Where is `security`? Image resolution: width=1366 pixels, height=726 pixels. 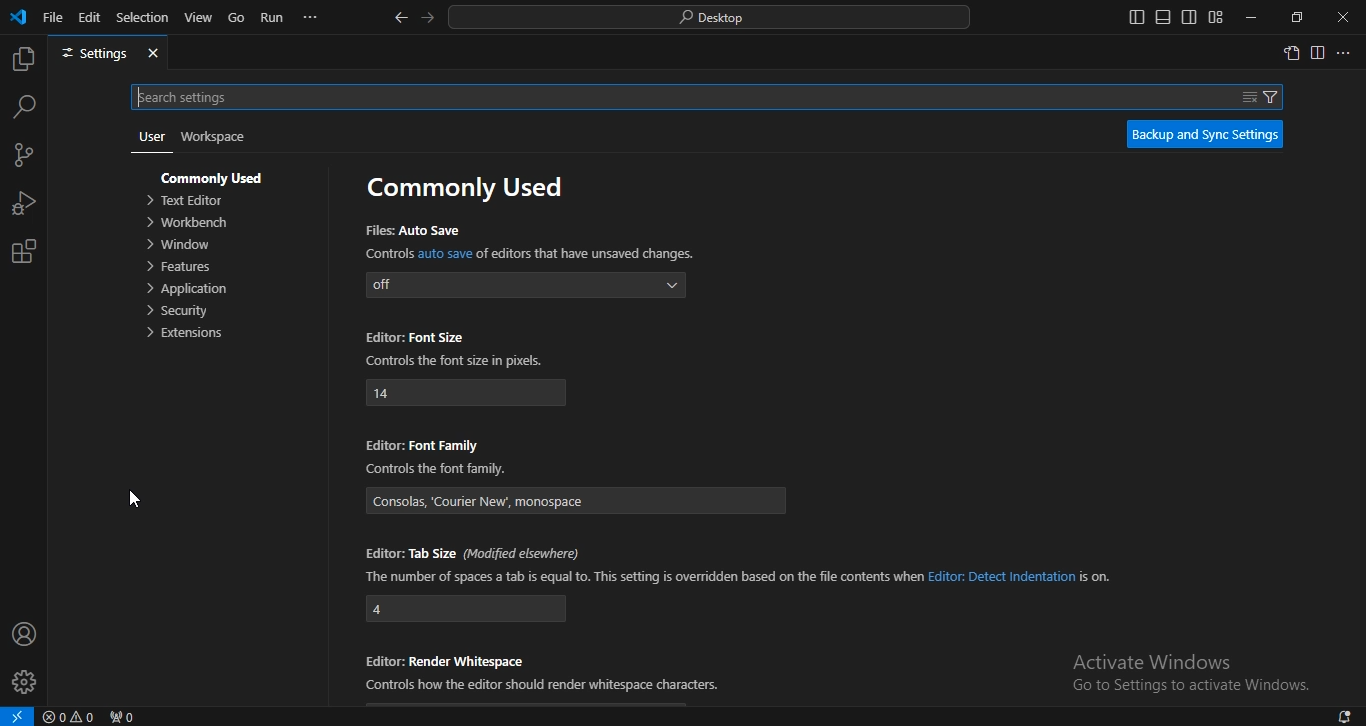
security is located at coordinates (178, 312).